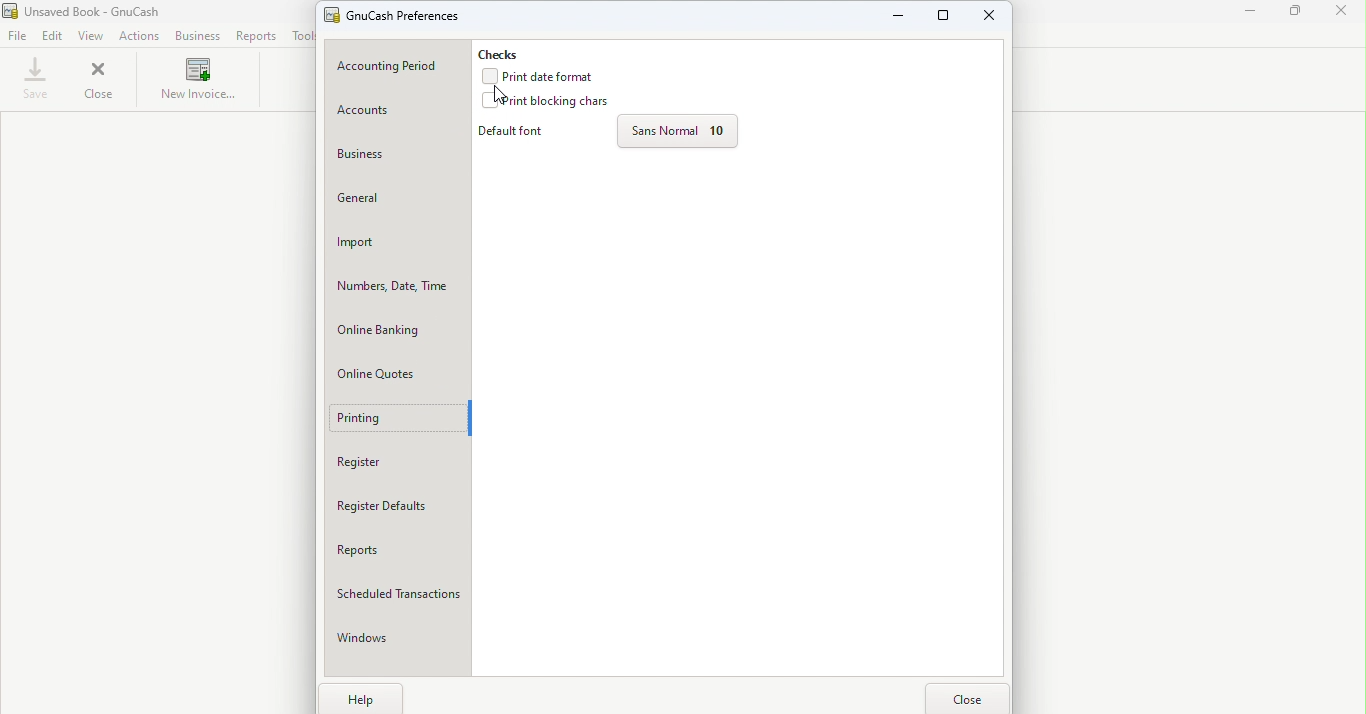  What do you see at coordinates (1300, 15) in the screenshot?
I see `Maximize` at bounding box center [1300, 15].